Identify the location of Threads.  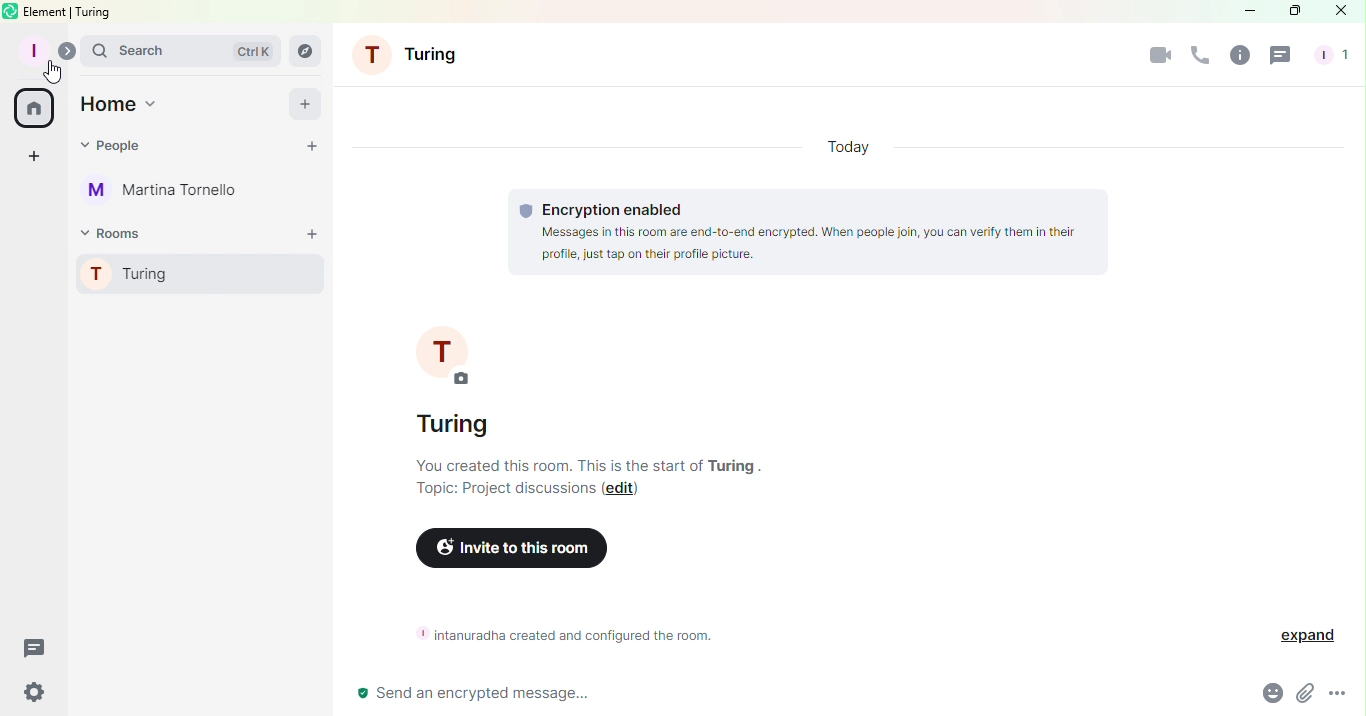
(34, 645).